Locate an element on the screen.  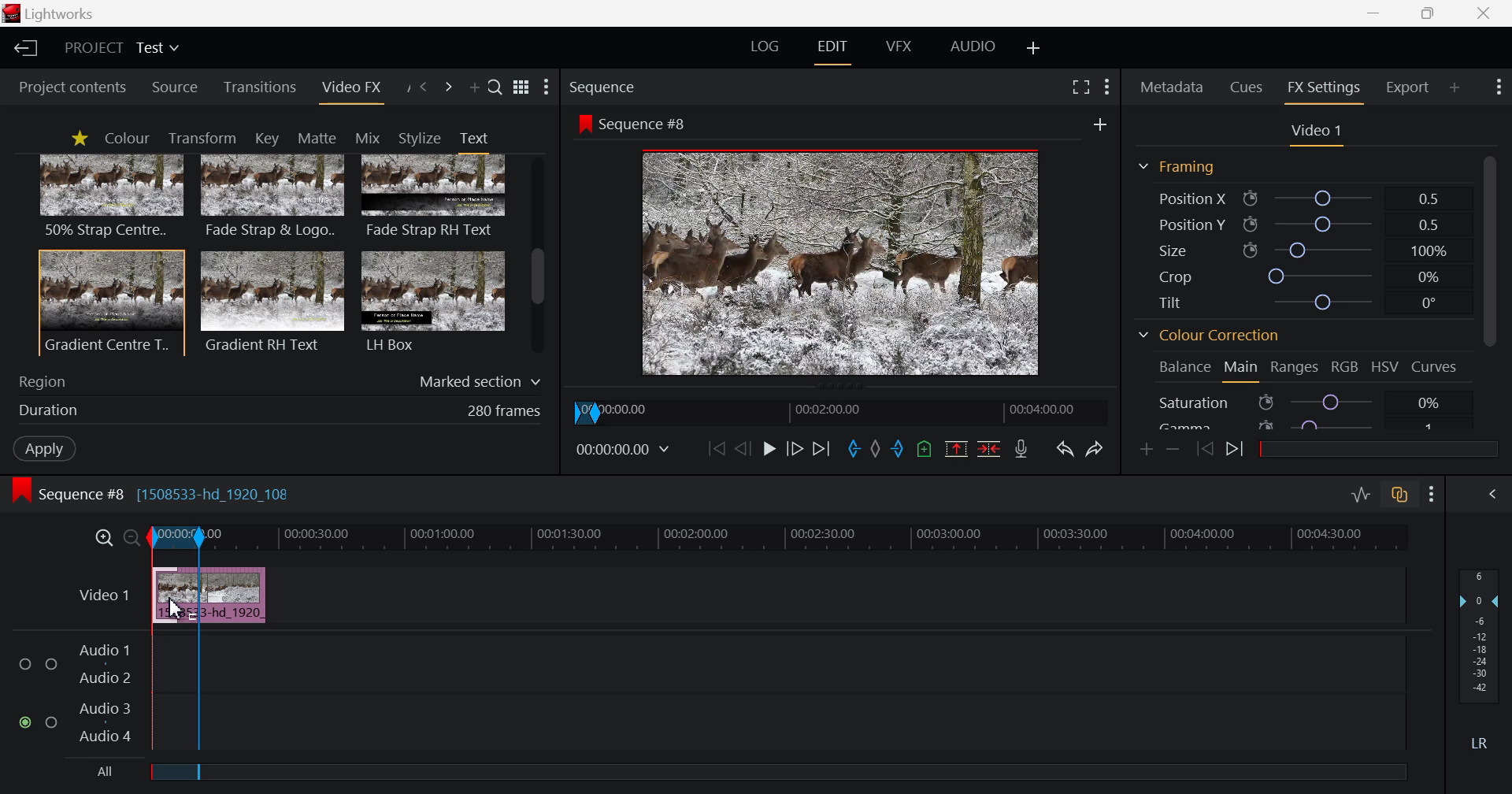
Tilt is located at coordinates (1304, 302).